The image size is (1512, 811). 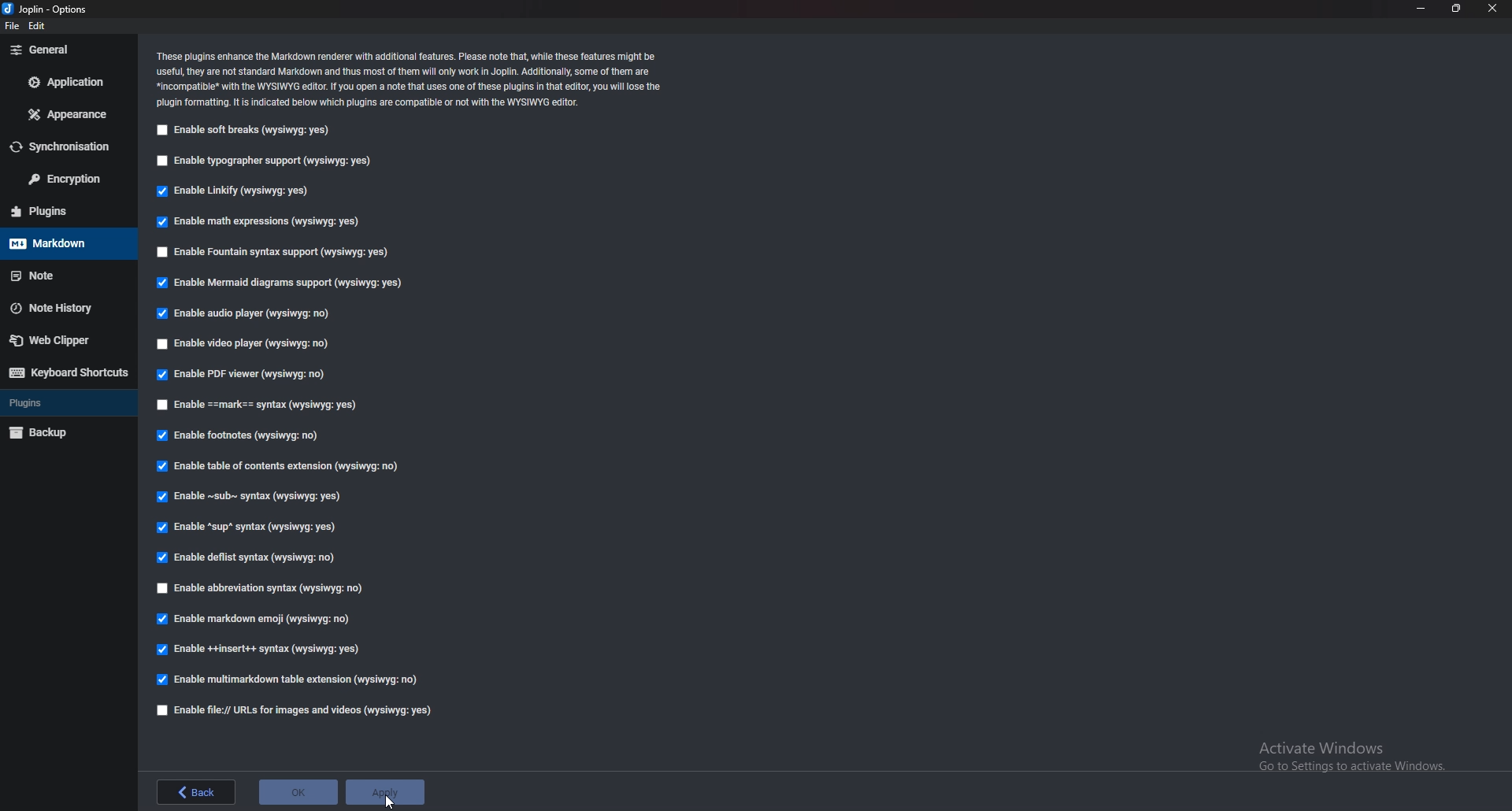 I want to click on Appearance, so click(x=70, y=113).